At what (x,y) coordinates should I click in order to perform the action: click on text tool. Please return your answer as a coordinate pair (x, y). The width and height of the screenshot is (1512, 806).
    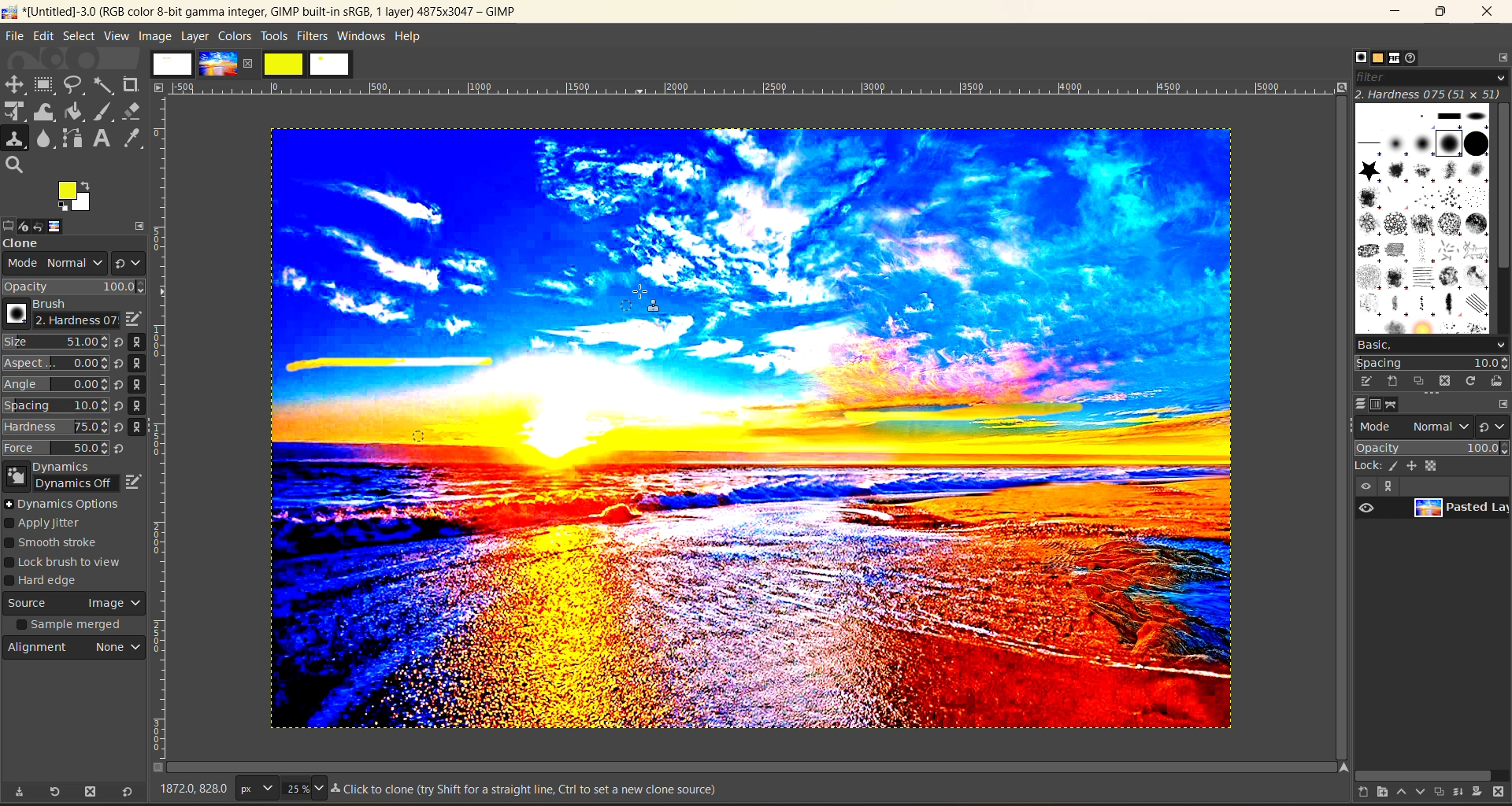
    Looking at the image, I should click on (103, 139).